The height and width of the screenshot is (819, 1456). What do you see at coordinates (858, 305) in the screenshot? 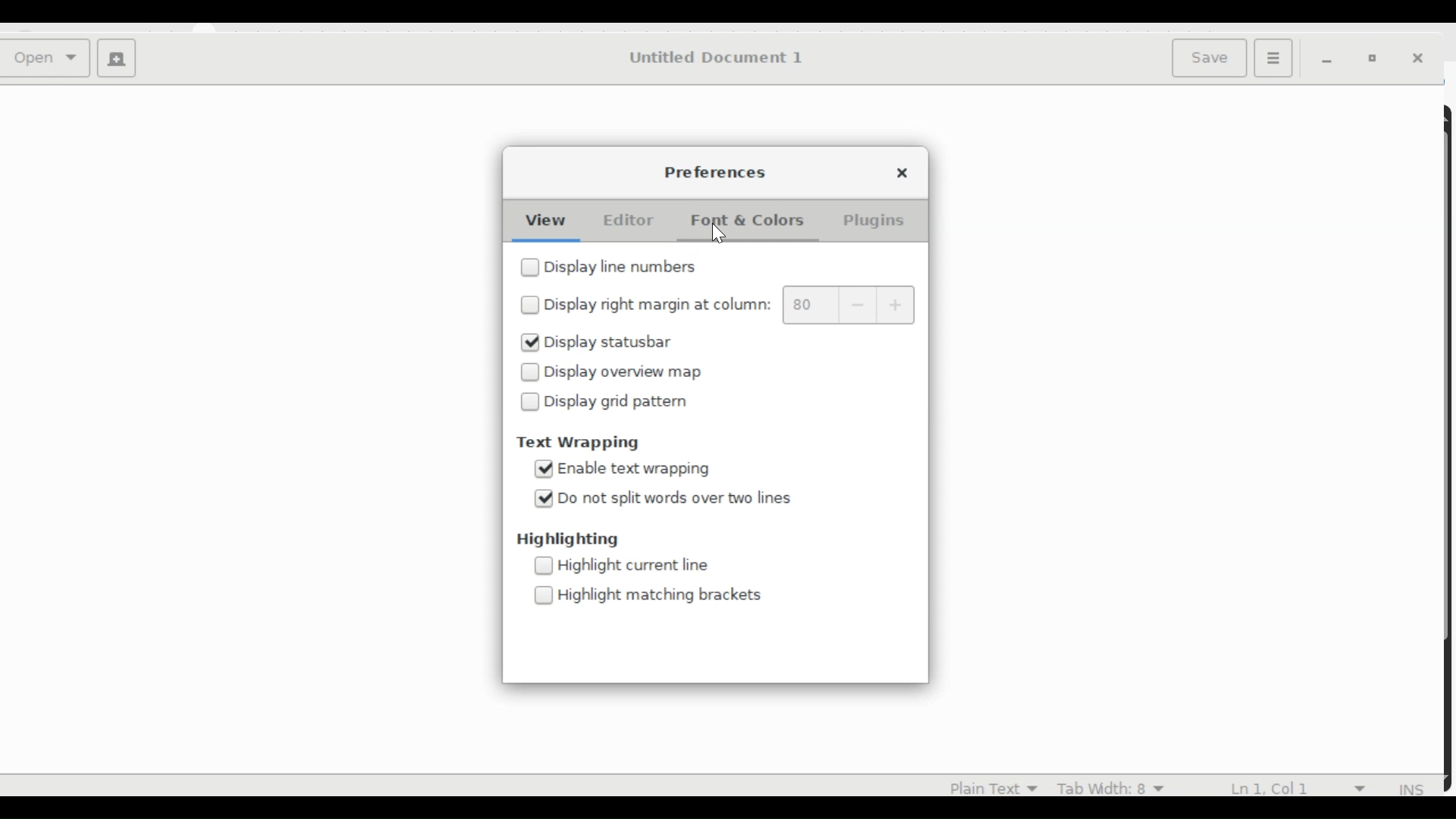
I see `decrease right margin value ` at bounding box center [858, 305].